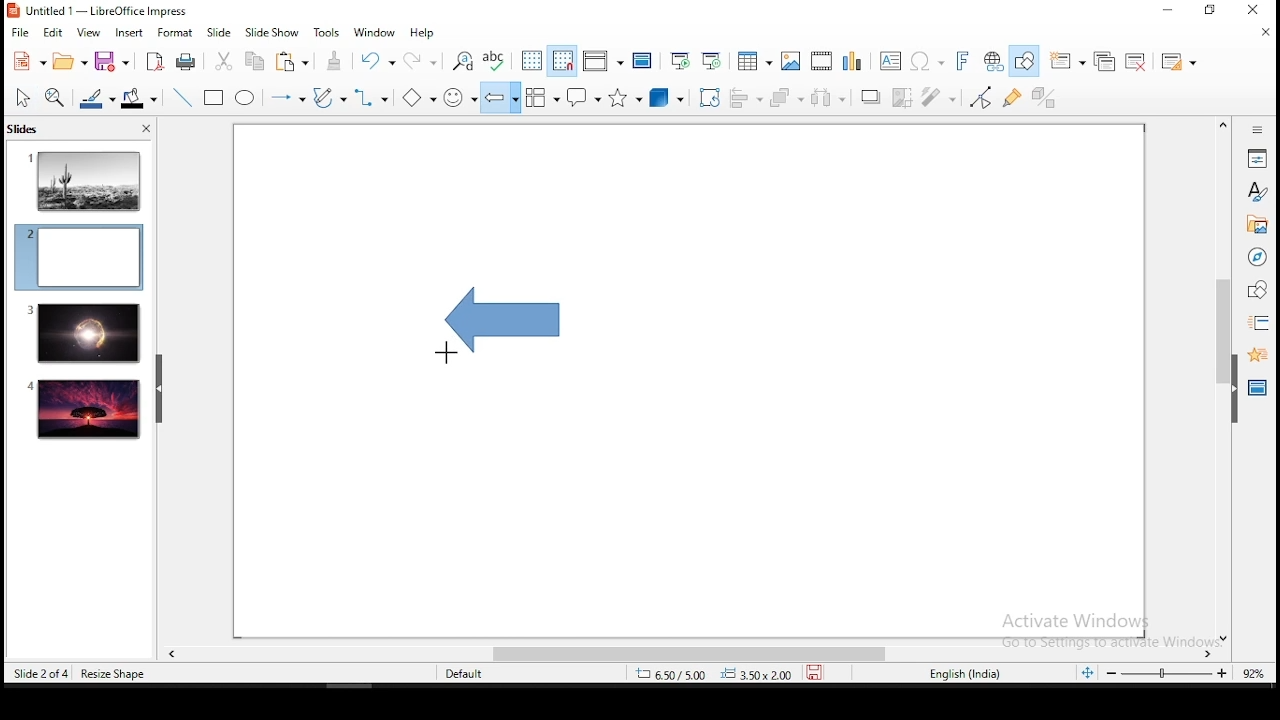 Image resolution: width=1280 pixels, height=720 pixels. Describe the element at coordinates (85, 180) in the screenshot. I see `slide 1` at that location.